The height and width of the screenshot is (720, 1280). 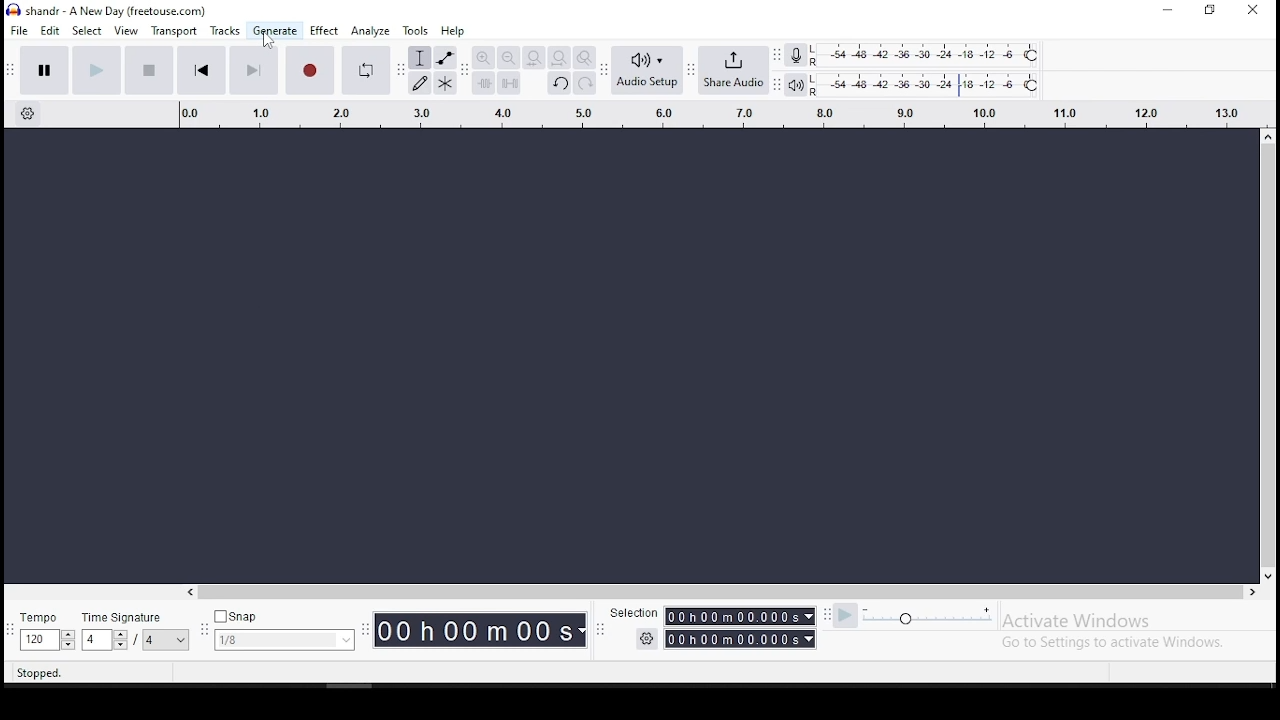 I want to click on enable looping, so click(x=366, y=70).